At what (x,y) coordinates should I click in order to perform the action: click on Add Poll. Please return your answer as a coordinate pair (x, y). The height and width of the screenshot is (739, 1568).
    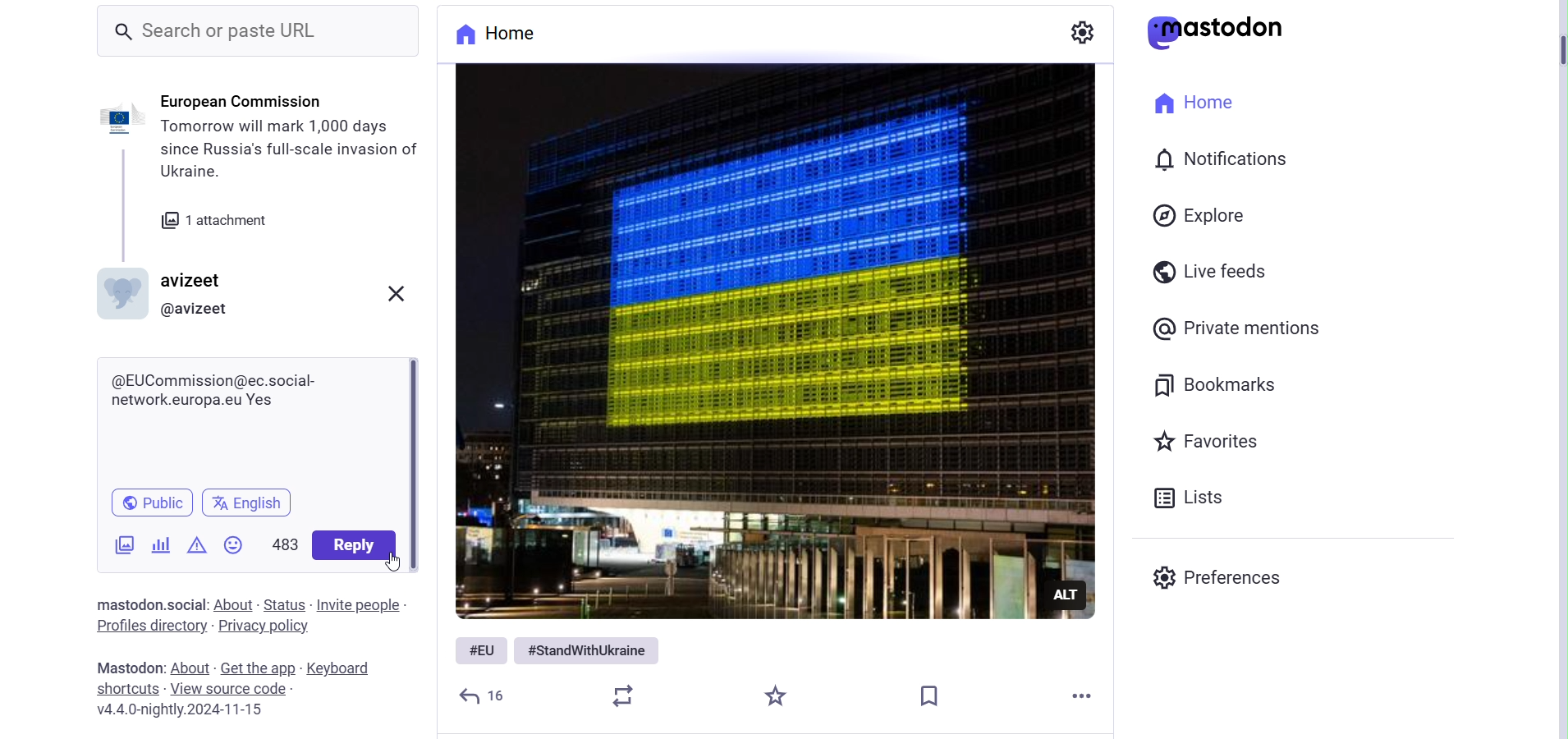
    Looking at the image, I should click on (161, 544).